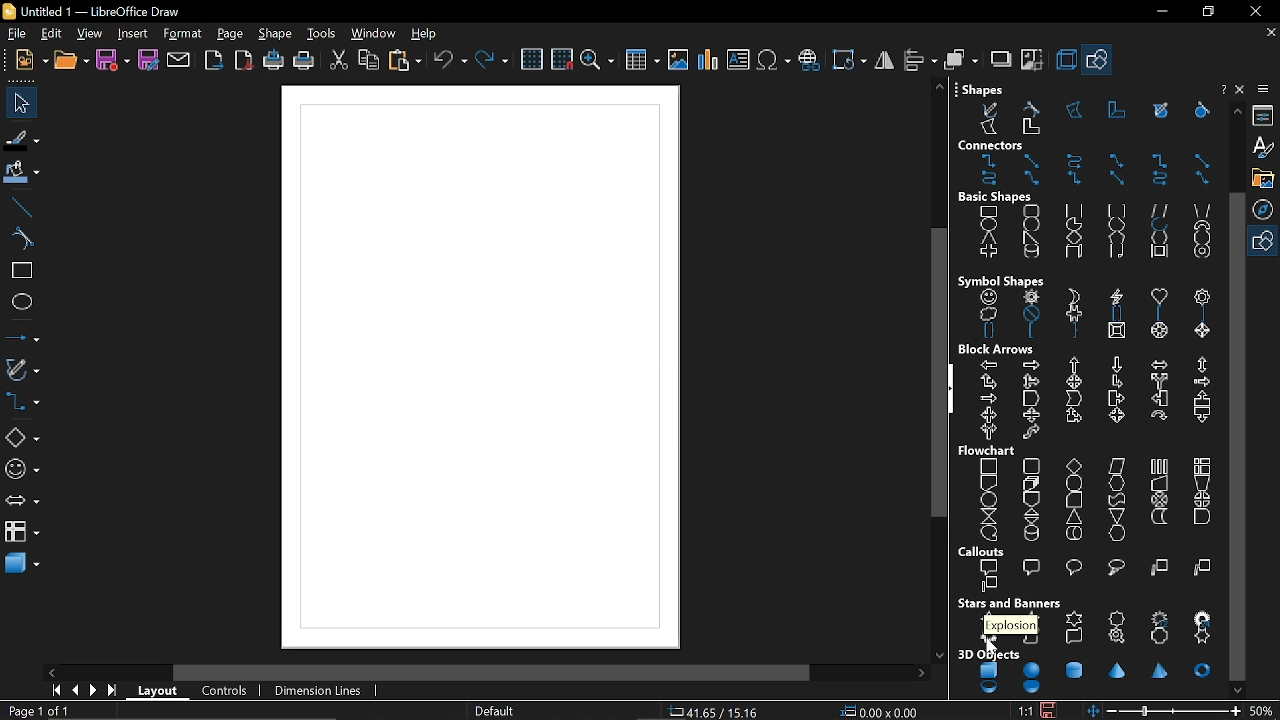  Describe the element at coordinates (1090, 392) in the screenshot. I see `block arrows` at that location.